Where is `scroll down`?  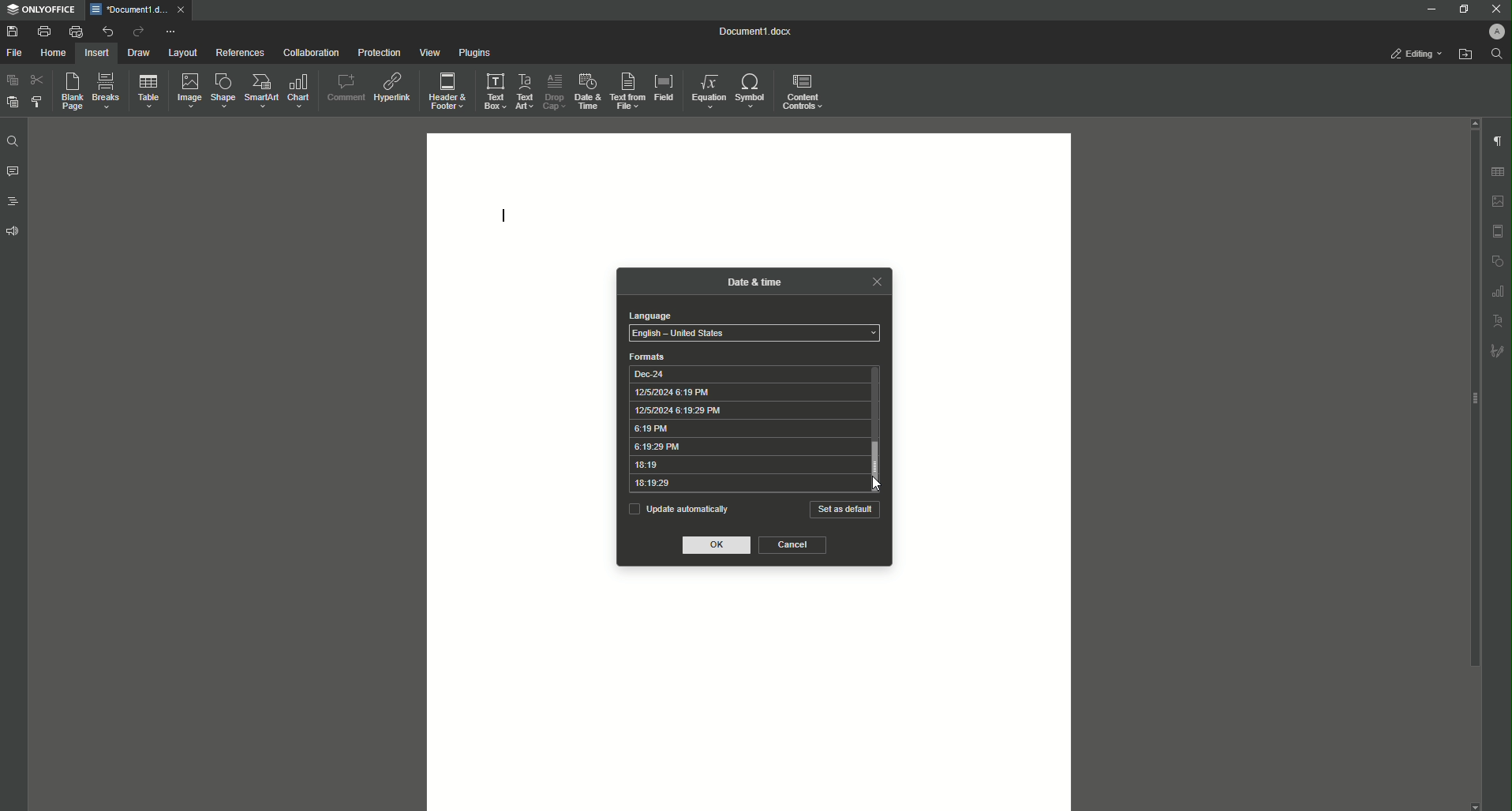
scroll down is located at coordinates (1475, 806).